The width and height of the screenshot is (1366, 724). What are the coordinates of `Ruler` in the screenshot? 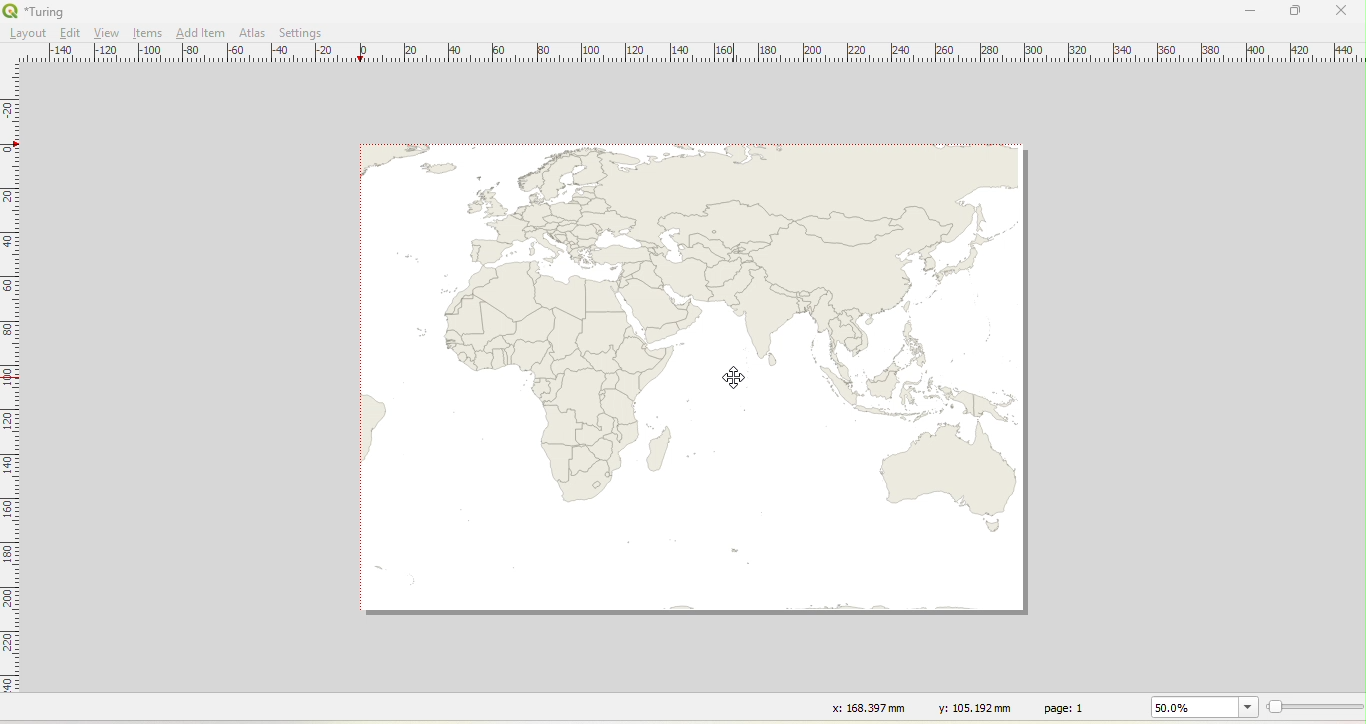 It's located at (694, 54).